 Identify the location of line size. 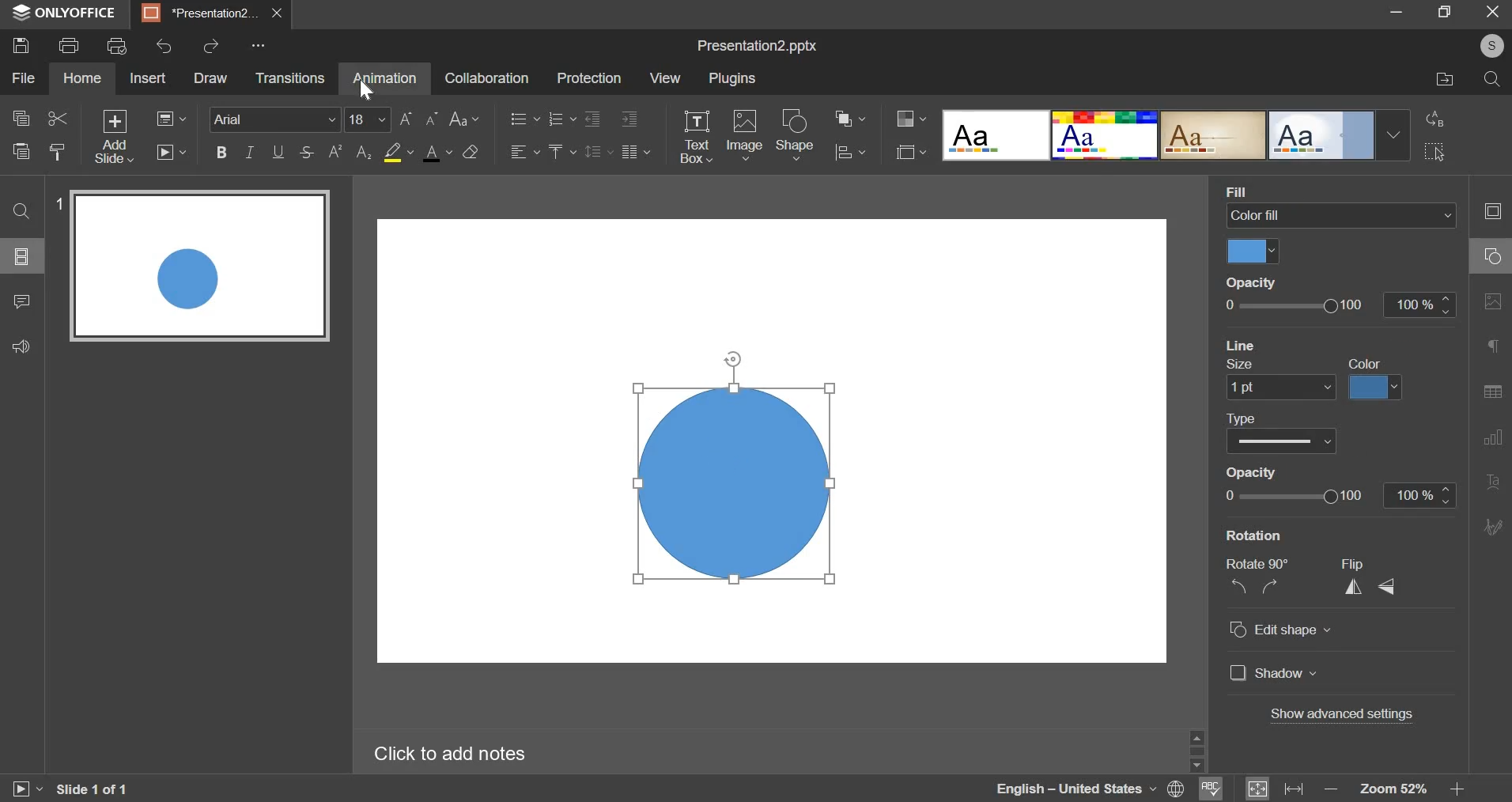
(1276, 389).